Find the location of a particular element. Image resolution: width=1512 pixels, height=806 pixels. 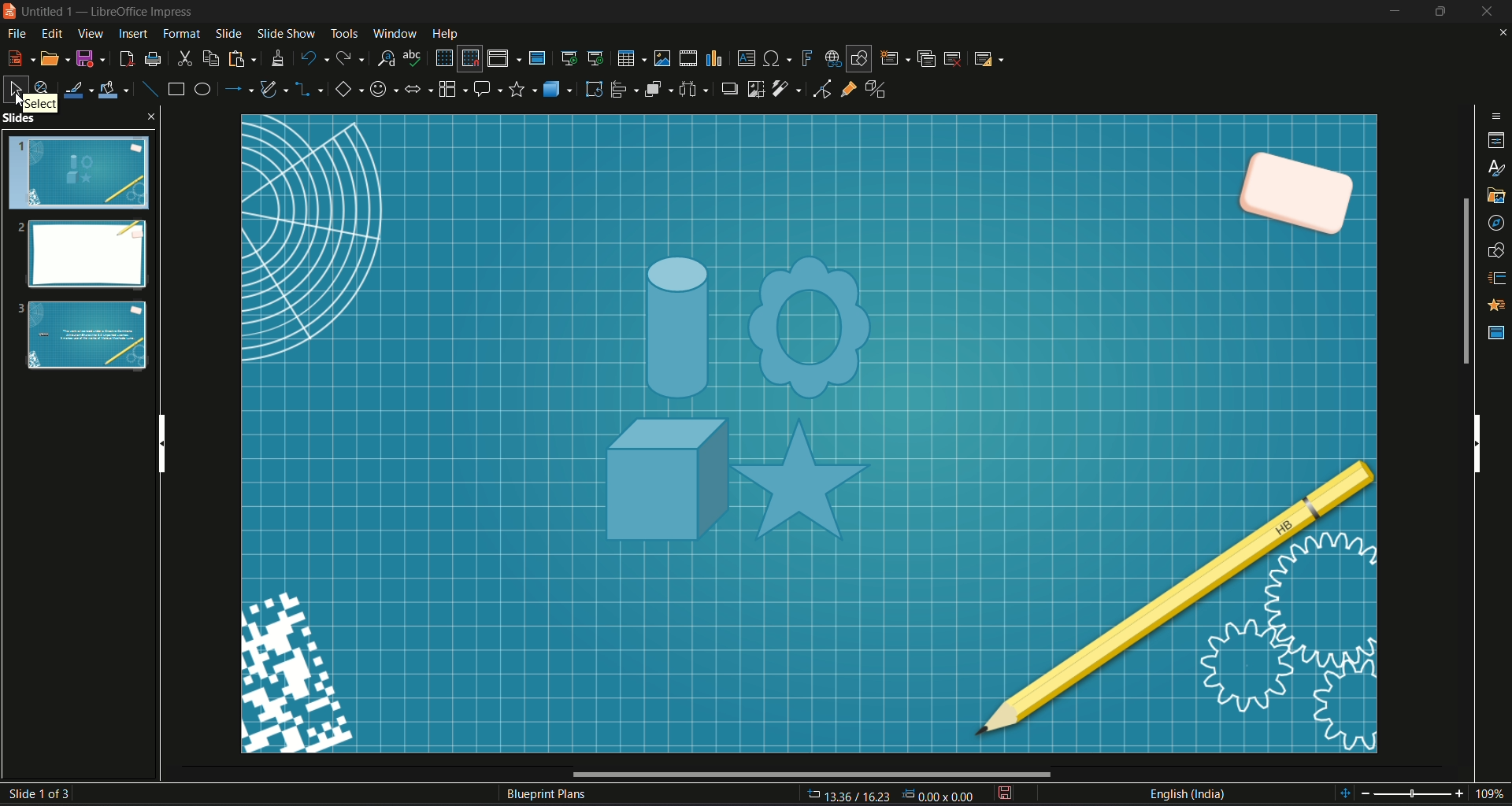

slide is located at coordinates (806, 437).